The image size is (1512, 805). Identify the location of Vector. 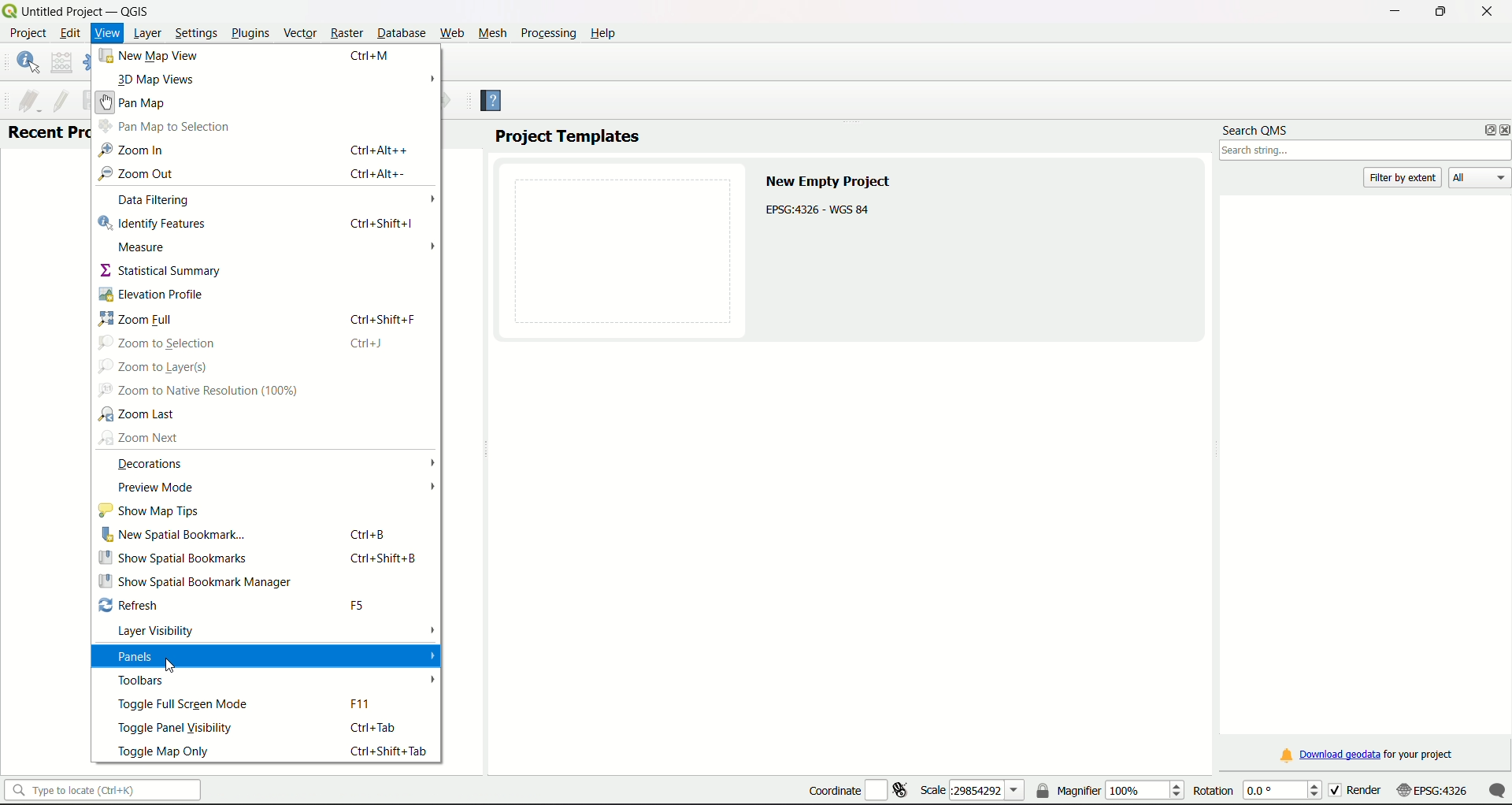
(301, 31).